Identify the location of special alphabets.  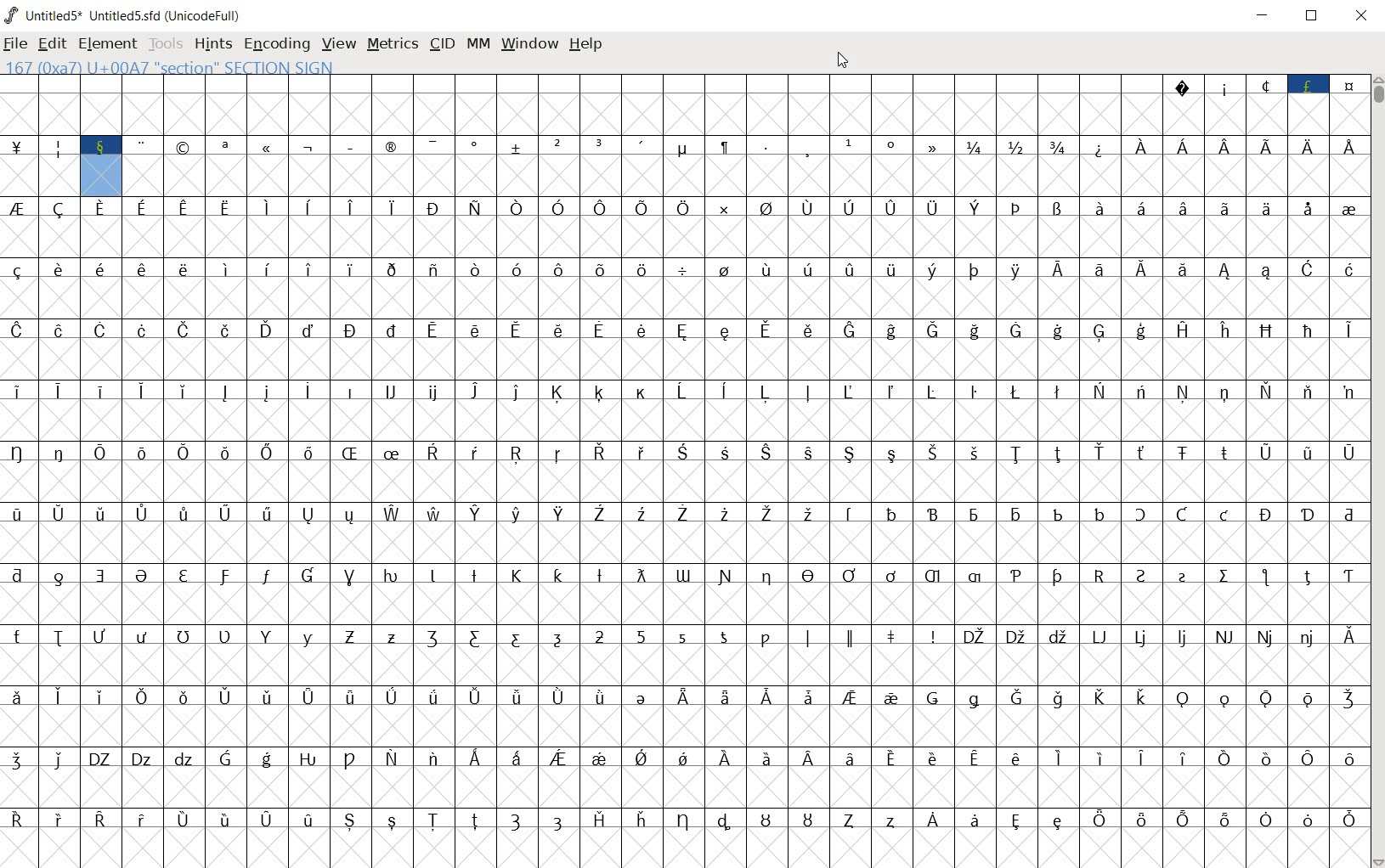
(1120, 655).